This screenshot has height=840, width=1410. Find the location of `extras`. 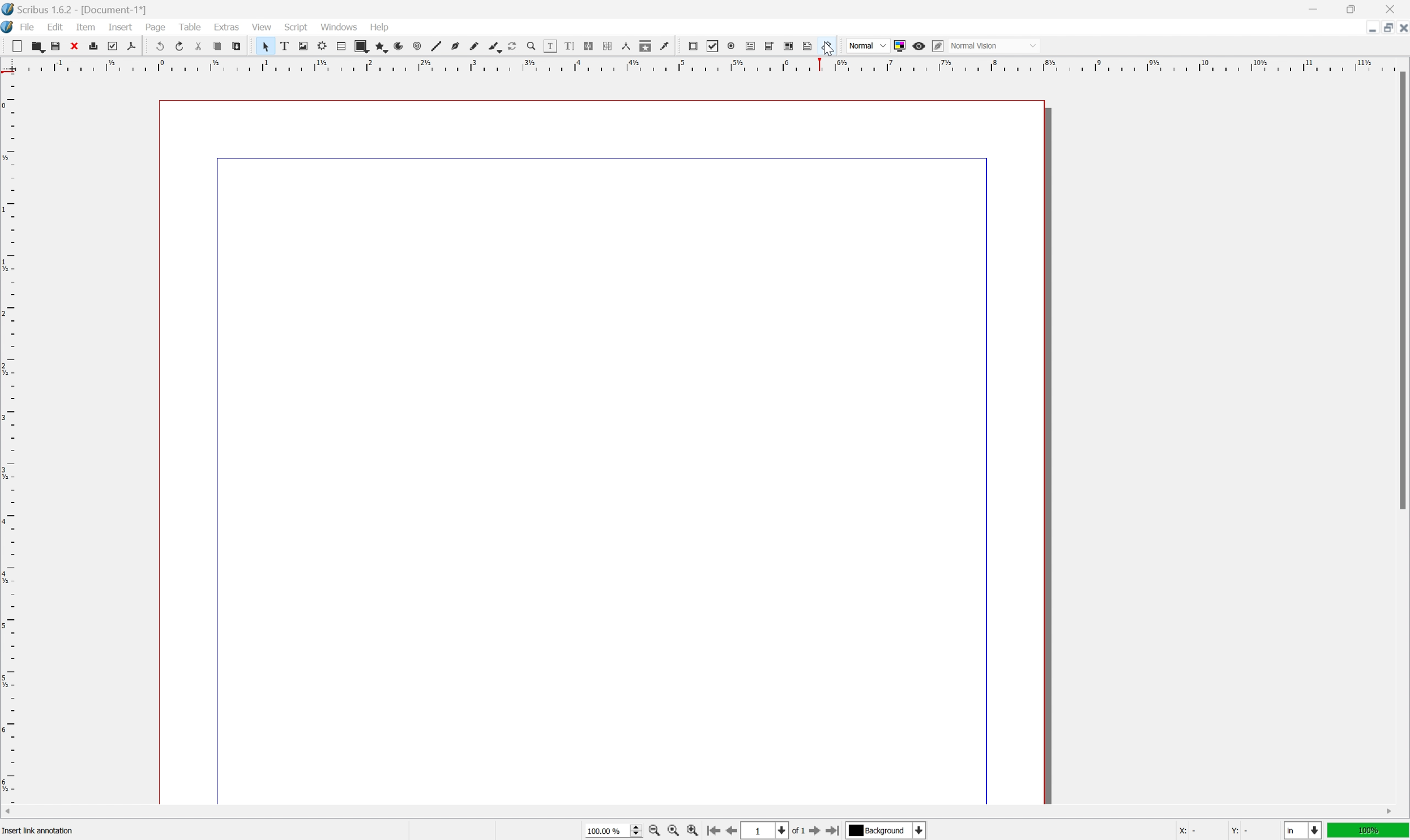

extras is located at coordinates (227, 26).